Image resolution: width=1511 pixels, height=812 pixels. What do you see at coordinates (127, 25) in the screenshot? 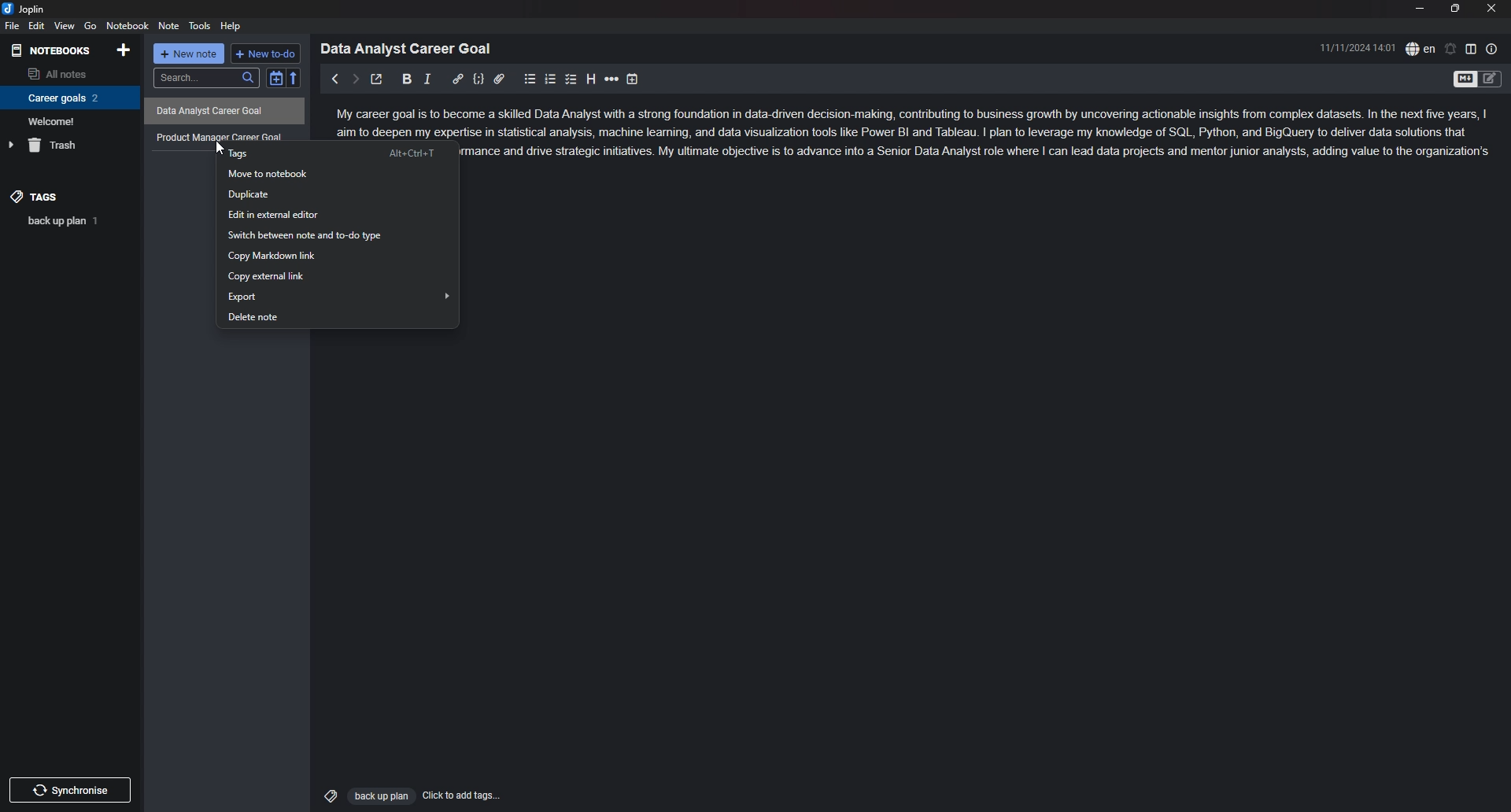
I see `notebook` at bounding box center [127, 25].